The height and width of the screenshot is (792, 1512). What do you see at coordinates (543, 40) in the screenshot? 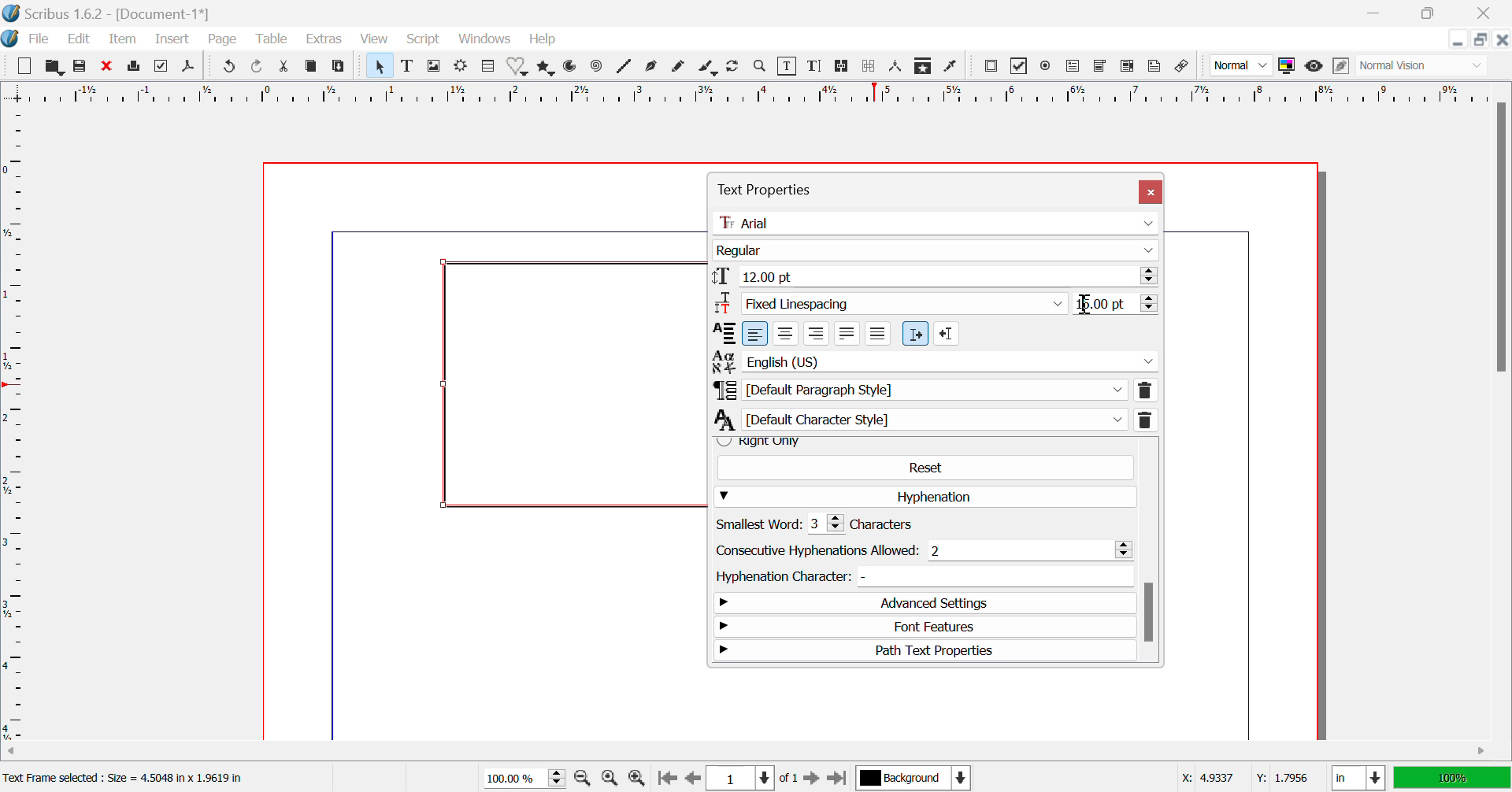
I see `Help` at bounding box center [543, 40].